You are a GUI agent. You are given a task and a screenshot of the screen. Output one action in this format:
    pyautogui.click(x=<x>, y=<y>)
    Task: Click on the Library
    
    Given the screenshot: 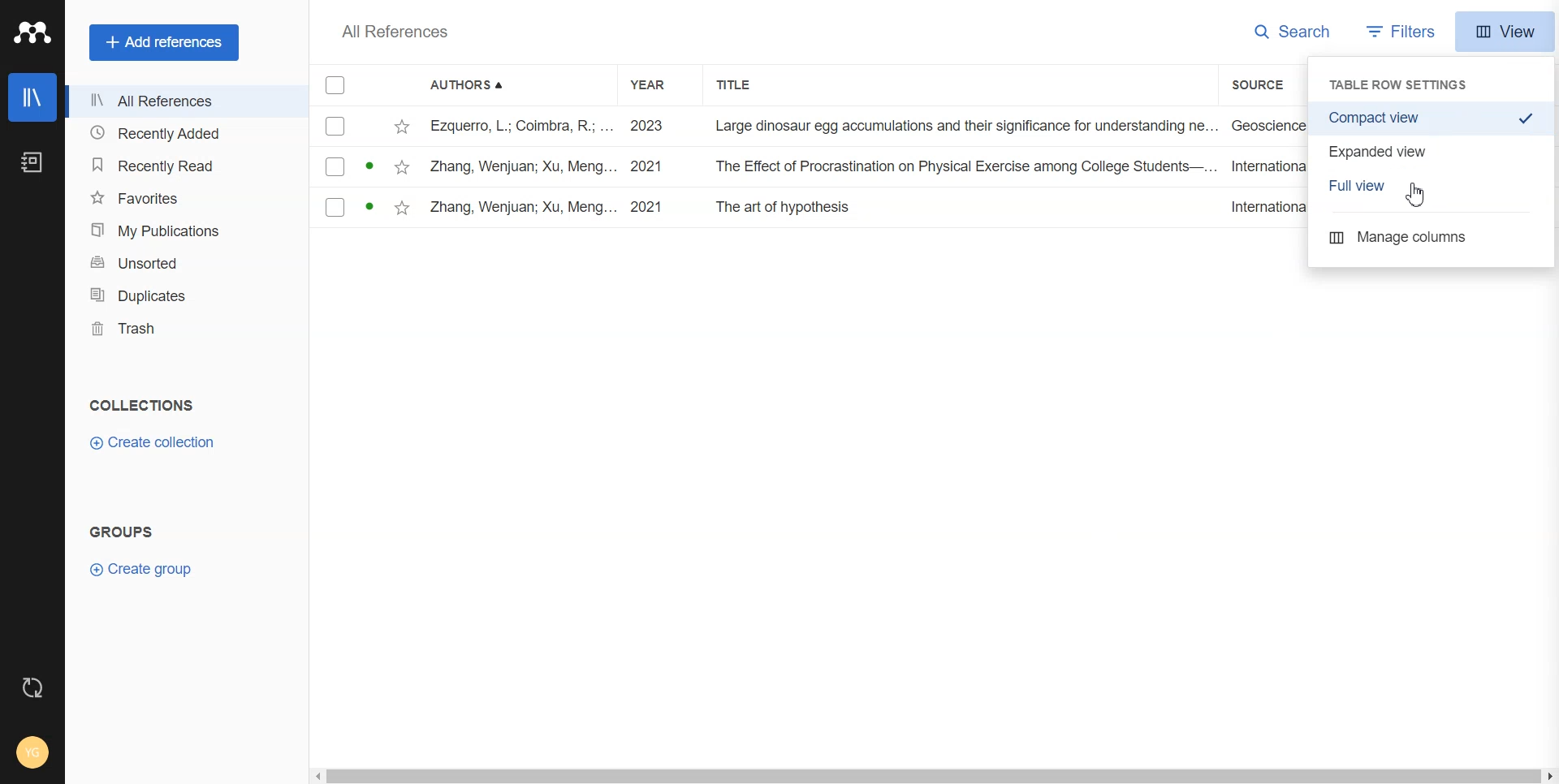 What is the action you would take?
    pyautogui.click(x=32, y=97)
    